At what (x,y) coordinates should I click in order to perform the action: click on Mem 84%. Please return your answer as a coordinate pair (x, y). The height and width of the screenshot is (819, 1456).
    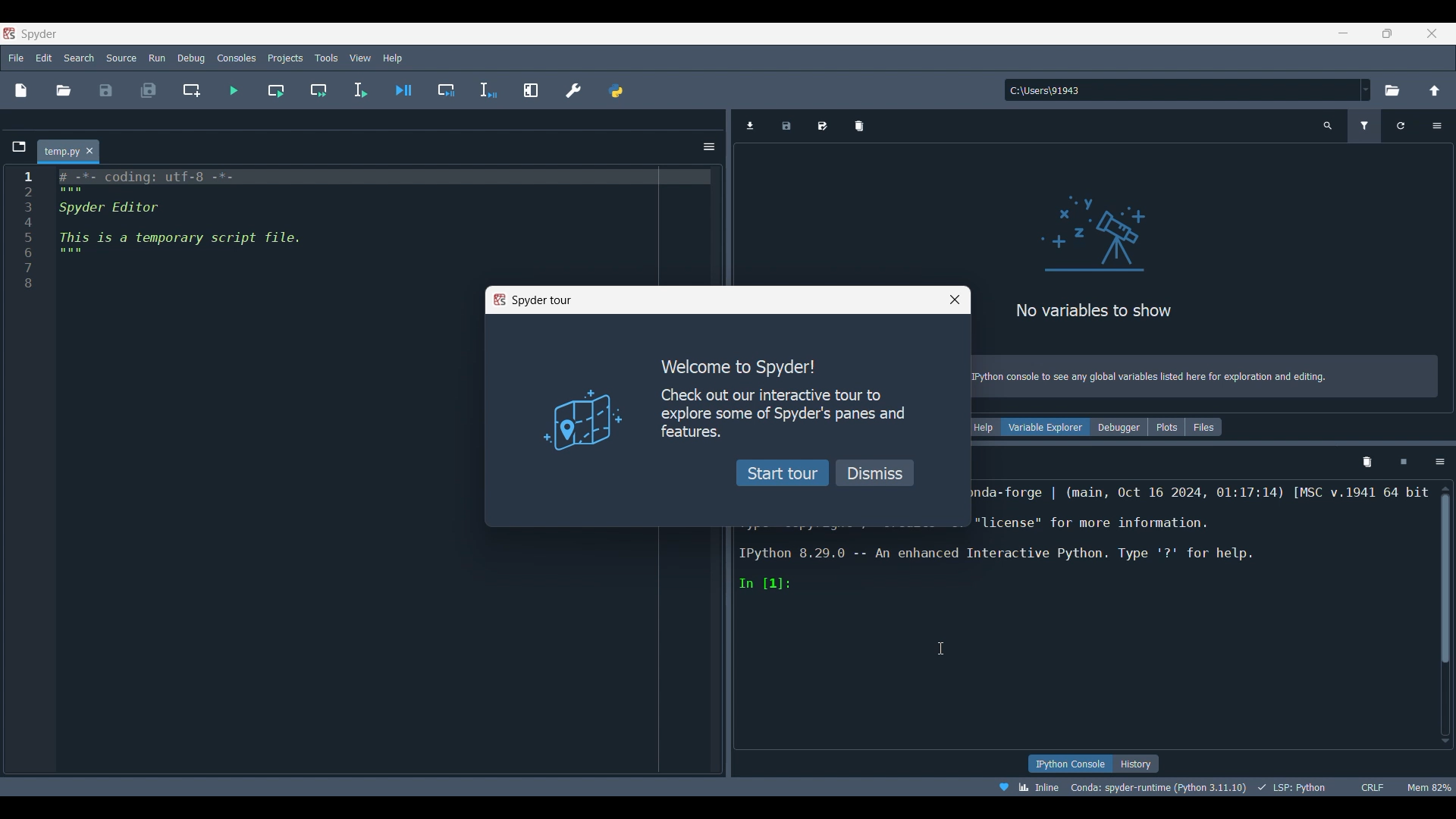
    Looking at the image, I should click on (1426, 787).